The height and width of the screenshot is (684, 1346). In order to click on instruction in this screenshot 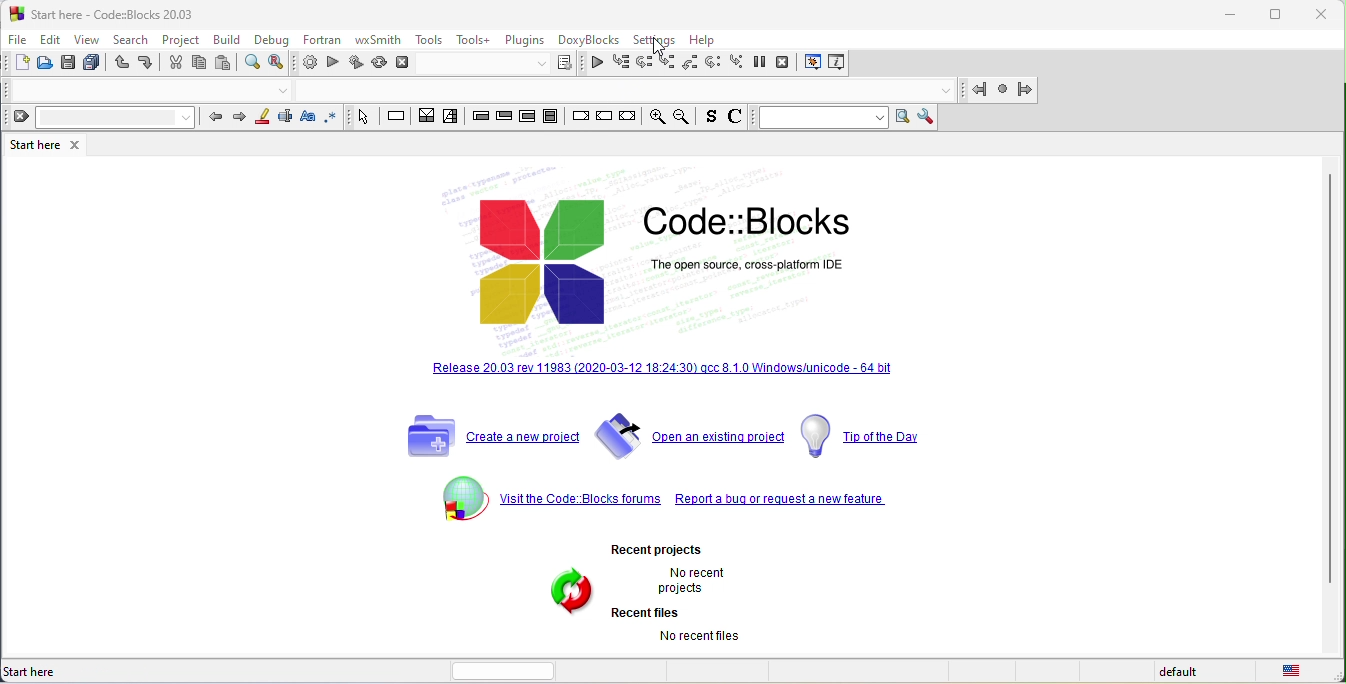, I will do `click(396, 117)`.